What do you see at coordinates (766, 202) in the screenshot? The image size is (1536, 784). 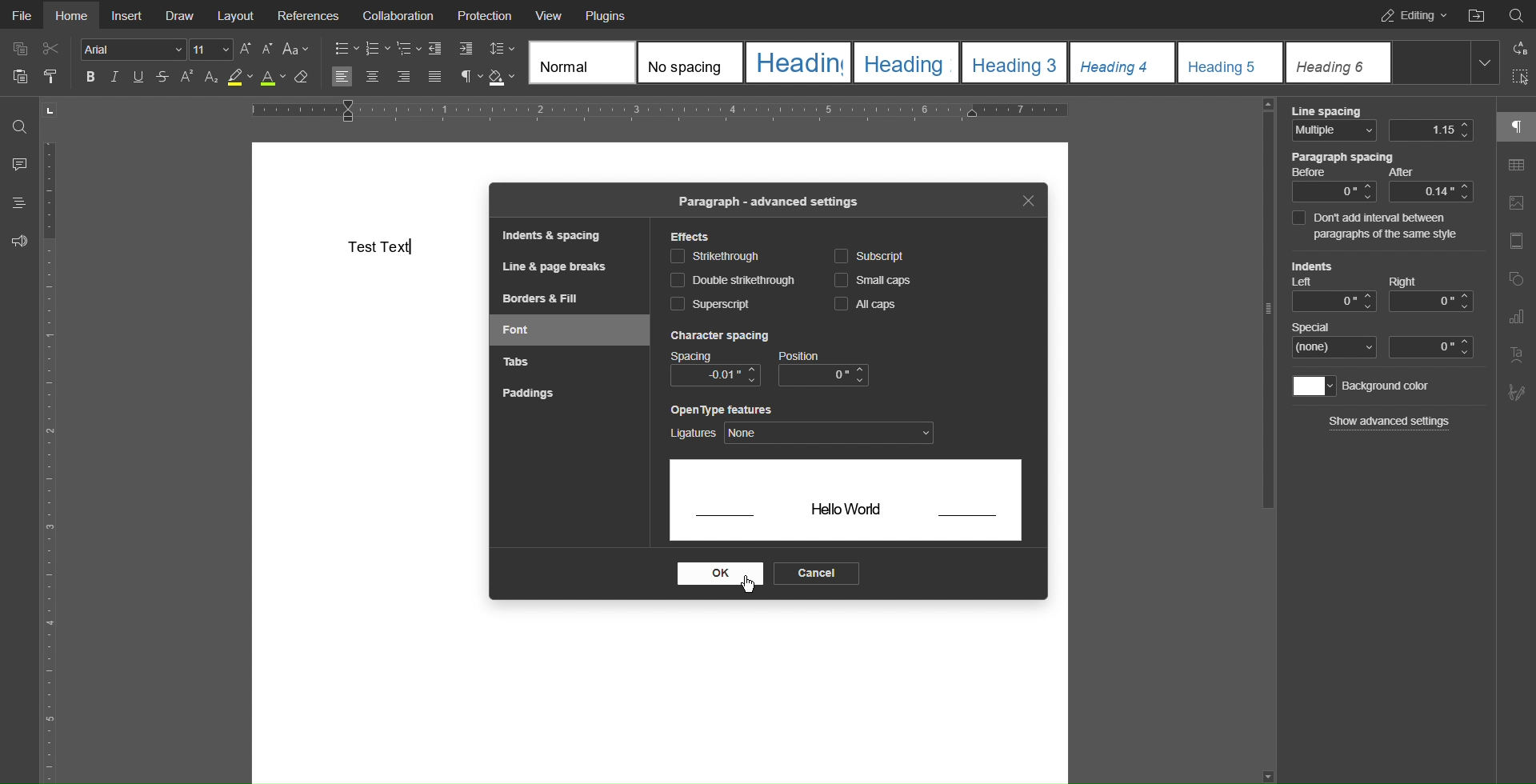 I see `Paragraph - advanced settings` at bounding box center [766, 202].